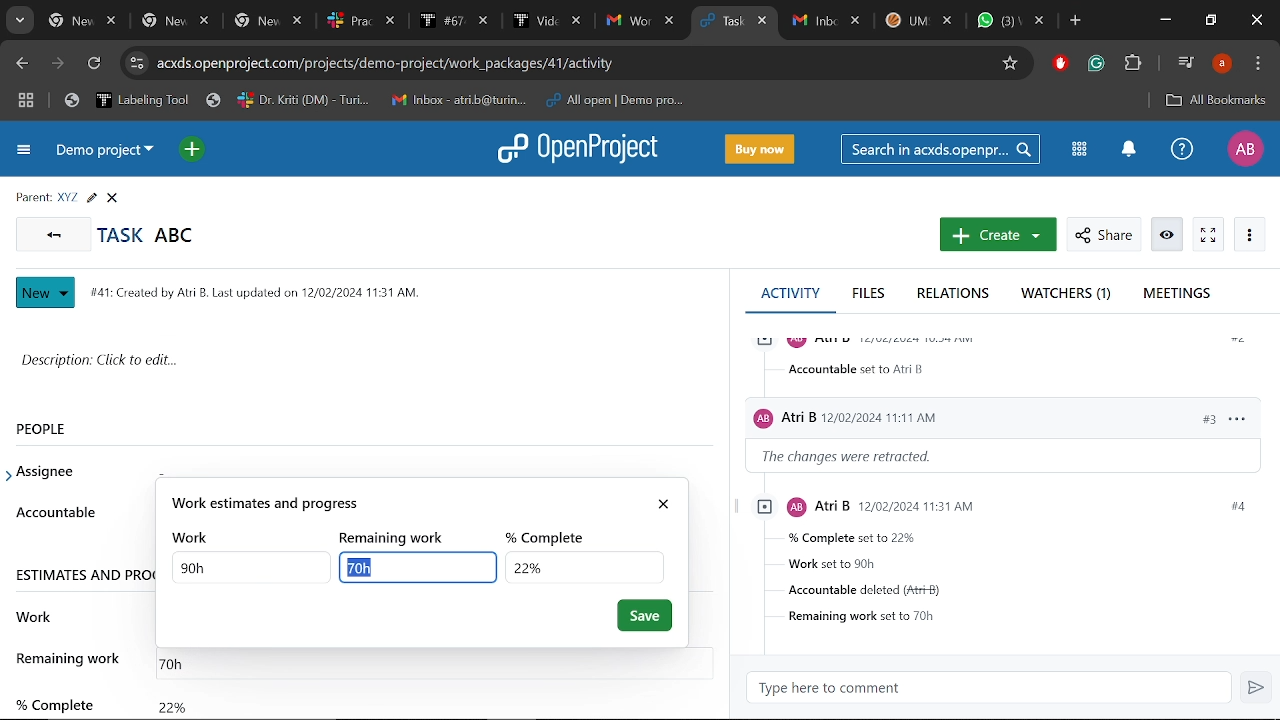 The height and width of the screenshot is (720, 1280). What do you see at coordinates (1250, 235) in the screenshot?
I see `More` at bounding box center [1250, 235].